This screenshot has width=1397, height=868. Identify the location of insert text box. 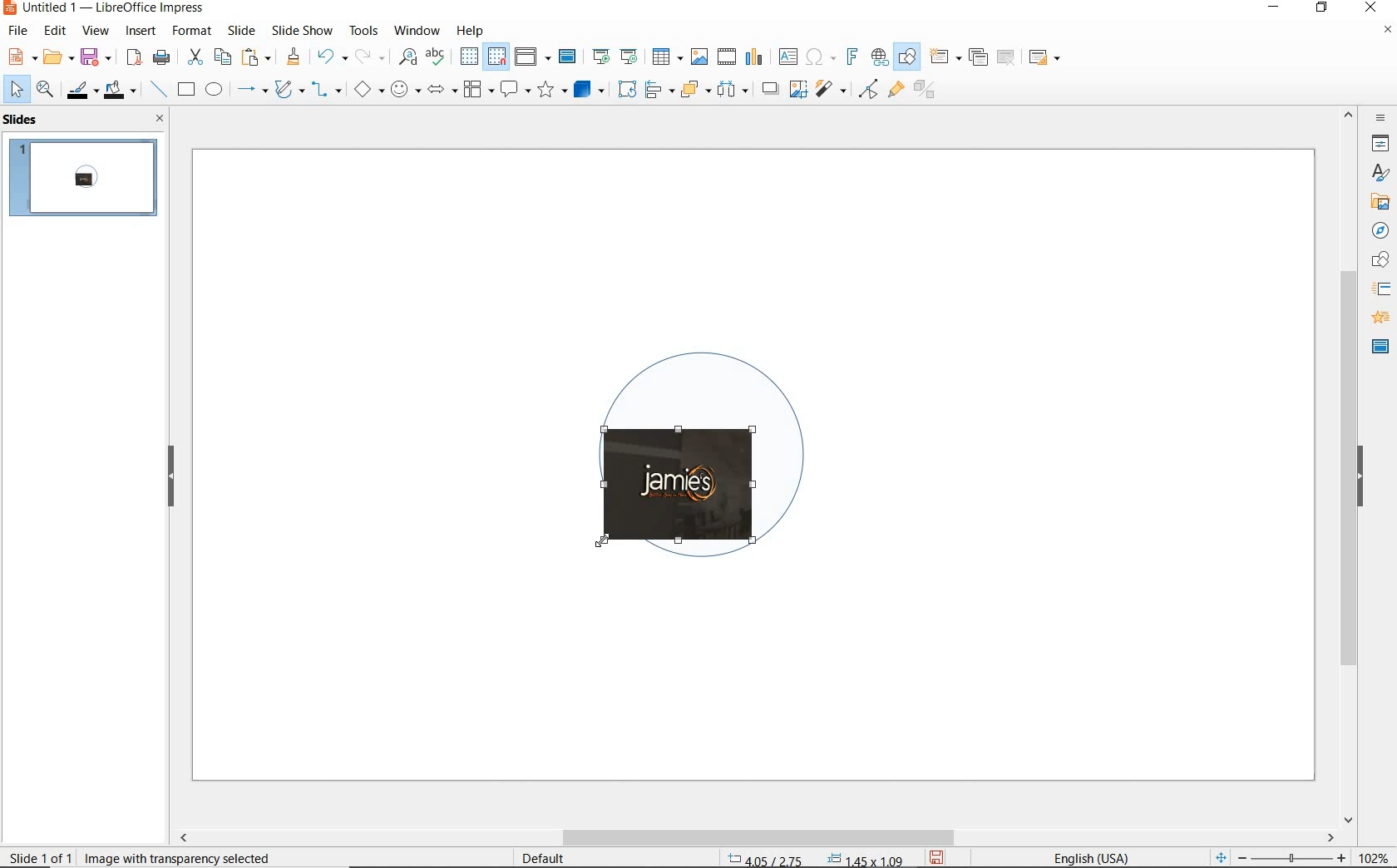
(787, 57).